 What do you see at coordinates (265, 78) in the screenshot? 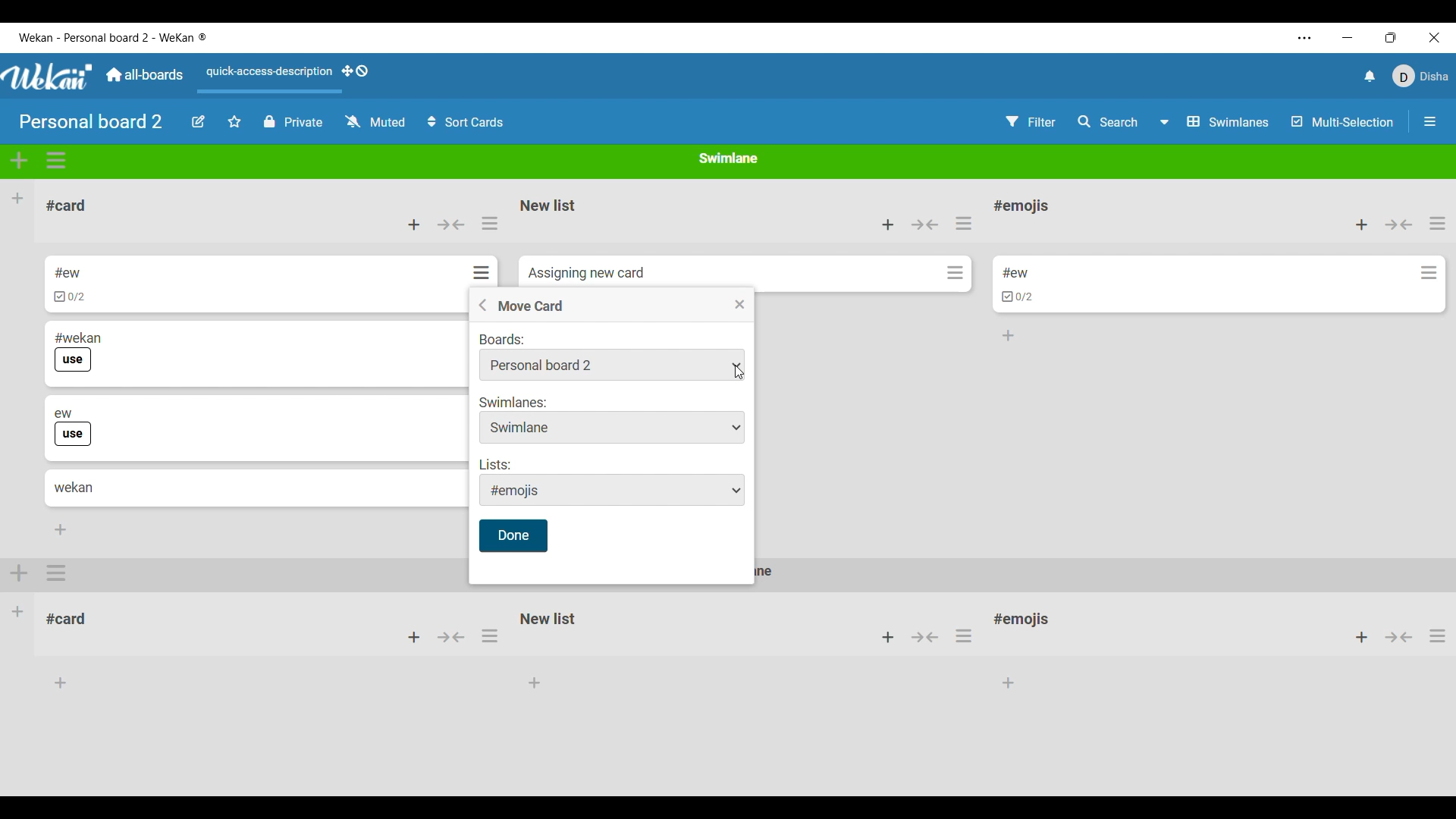
I see `Quick access description` at bounding box center [265, 78].